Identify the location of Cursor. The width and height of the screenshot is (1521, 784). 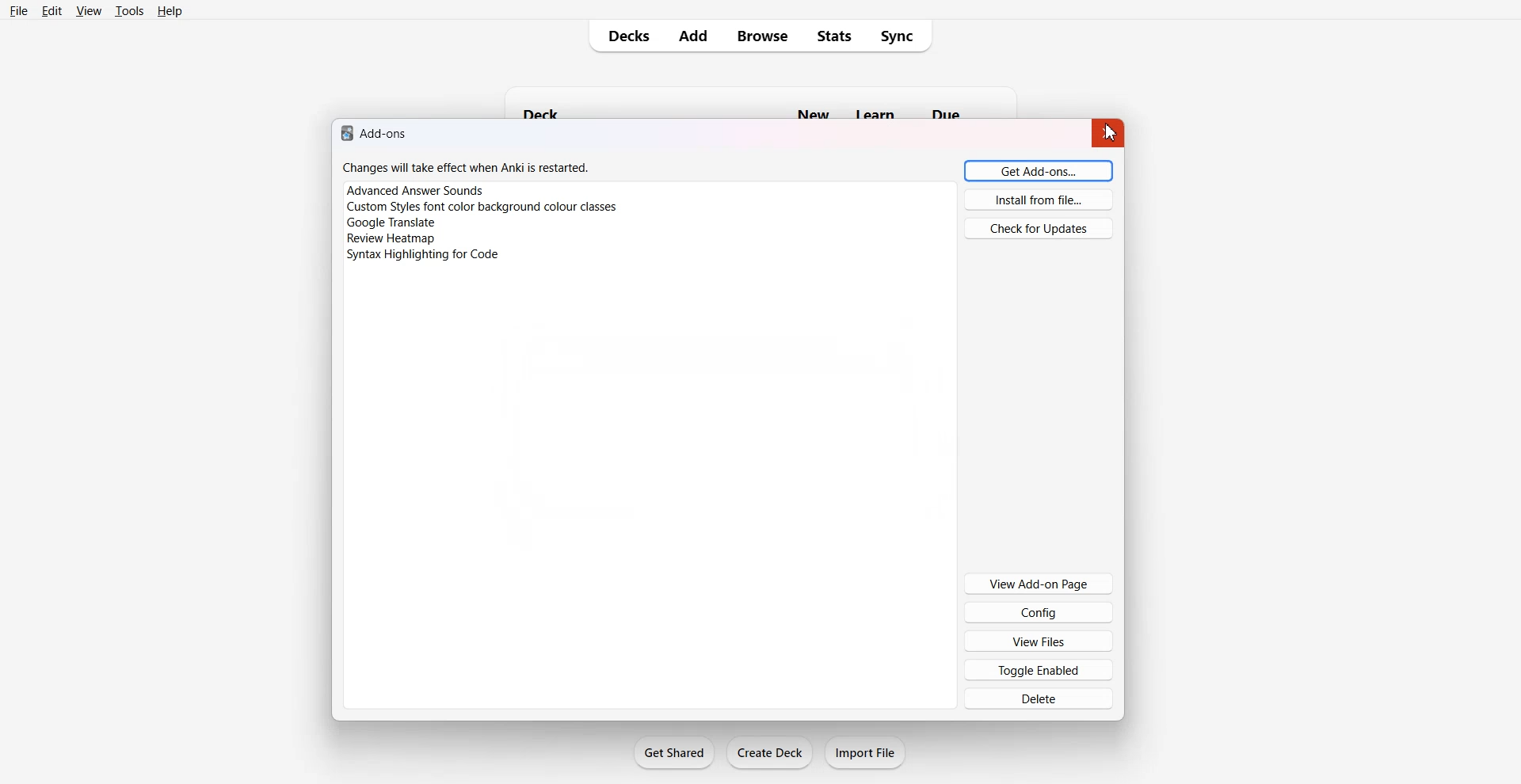
(1111, 133).